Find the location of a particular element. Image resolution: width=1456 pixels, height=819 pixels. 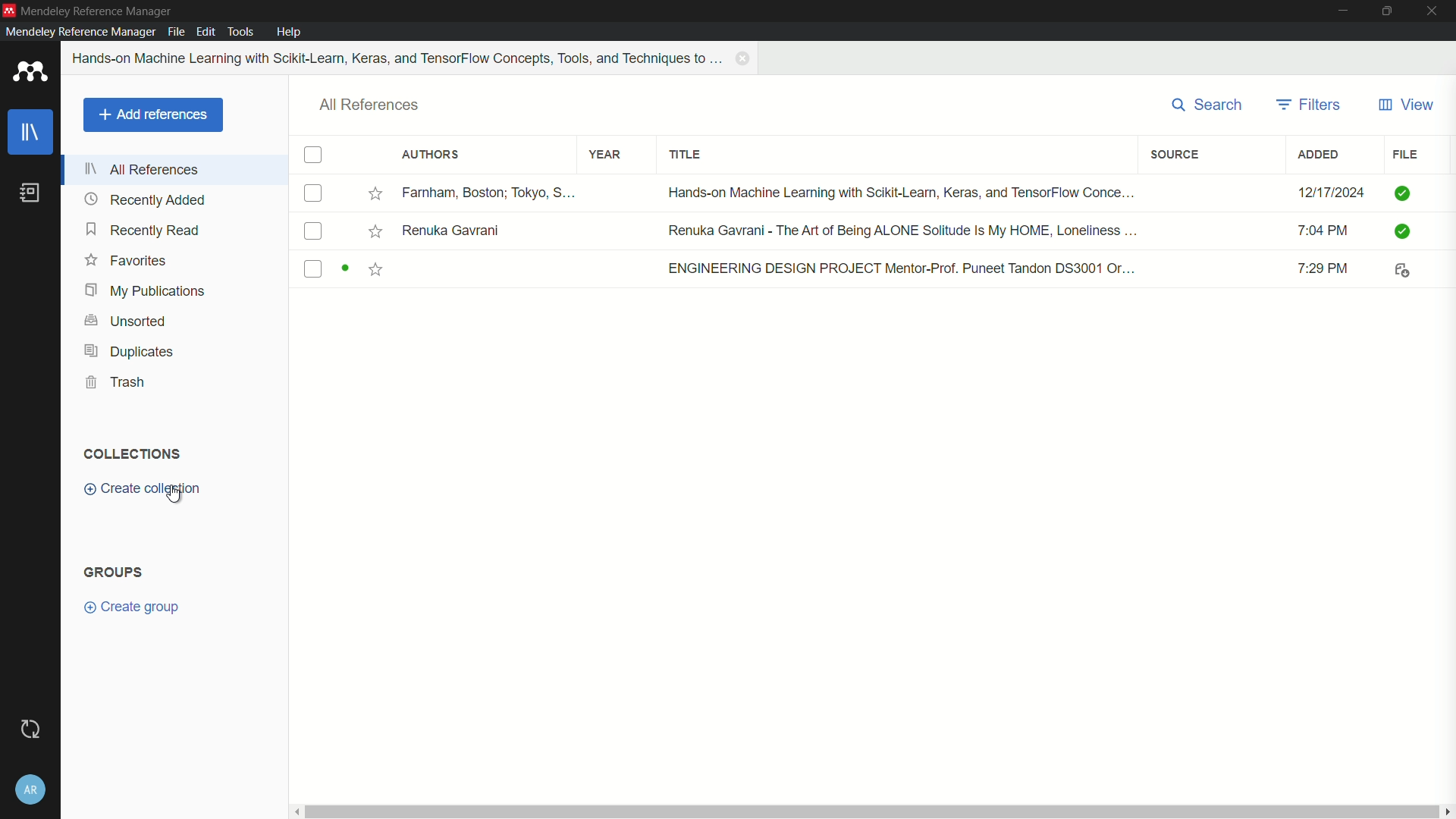

filters is located at coordinates (1308, 105).